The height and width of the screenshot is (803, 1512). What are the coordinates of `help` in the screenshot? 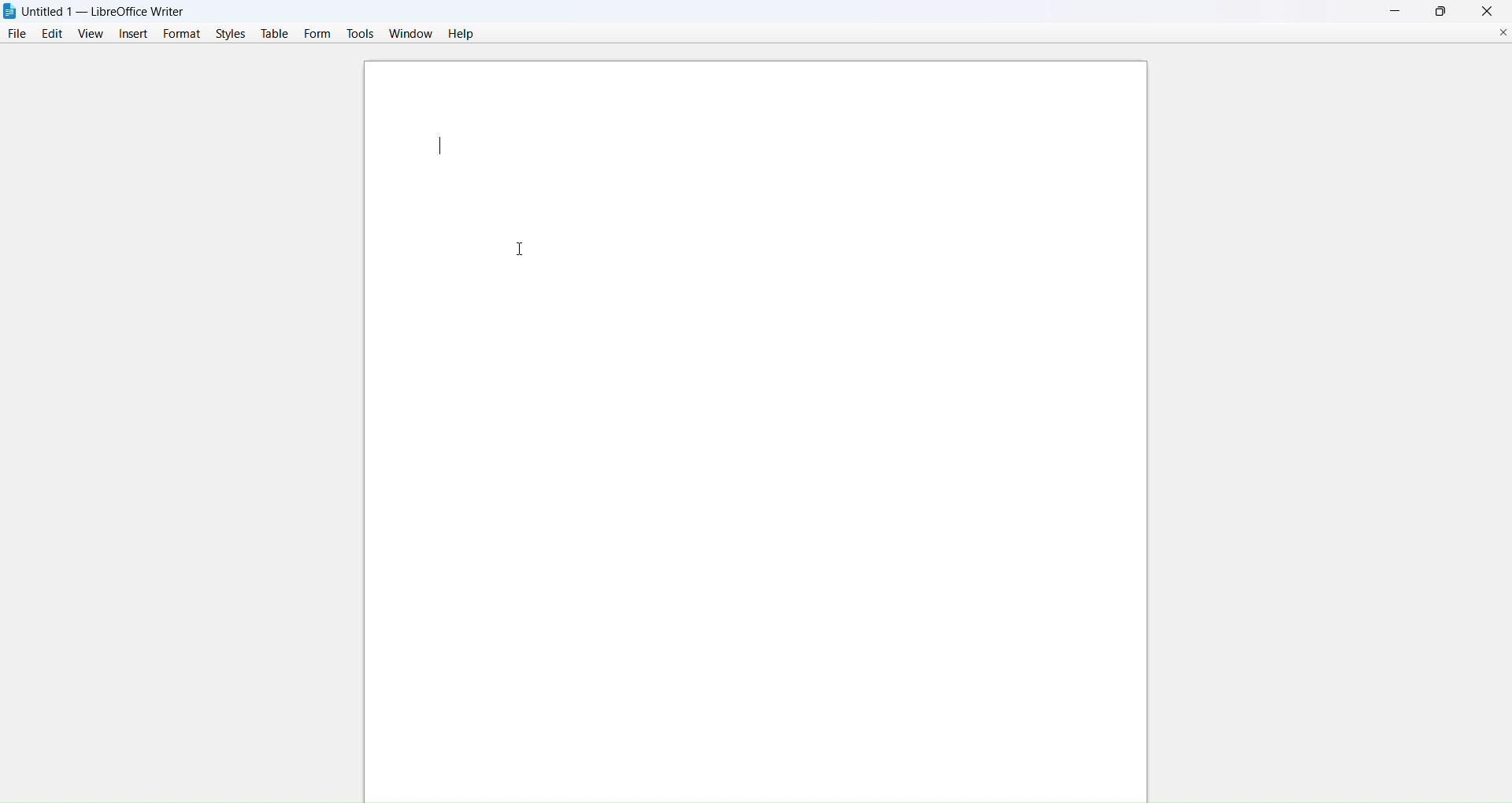 It's located at (465, 35).